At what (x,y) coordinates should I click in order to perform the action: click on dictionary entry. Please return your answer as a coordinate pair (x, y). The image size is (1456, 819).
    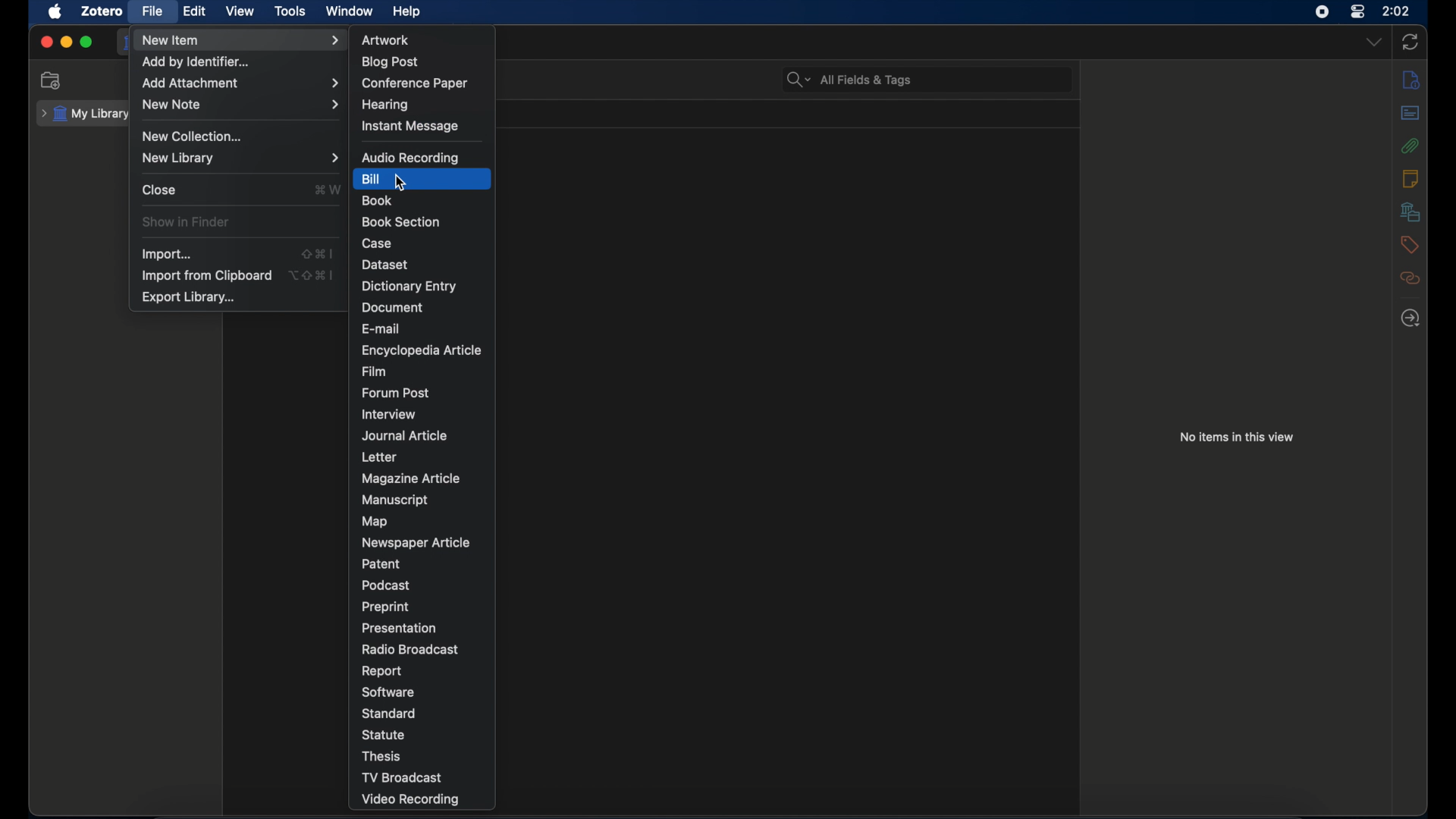
    Looking at the image, I should click on (409, 287).